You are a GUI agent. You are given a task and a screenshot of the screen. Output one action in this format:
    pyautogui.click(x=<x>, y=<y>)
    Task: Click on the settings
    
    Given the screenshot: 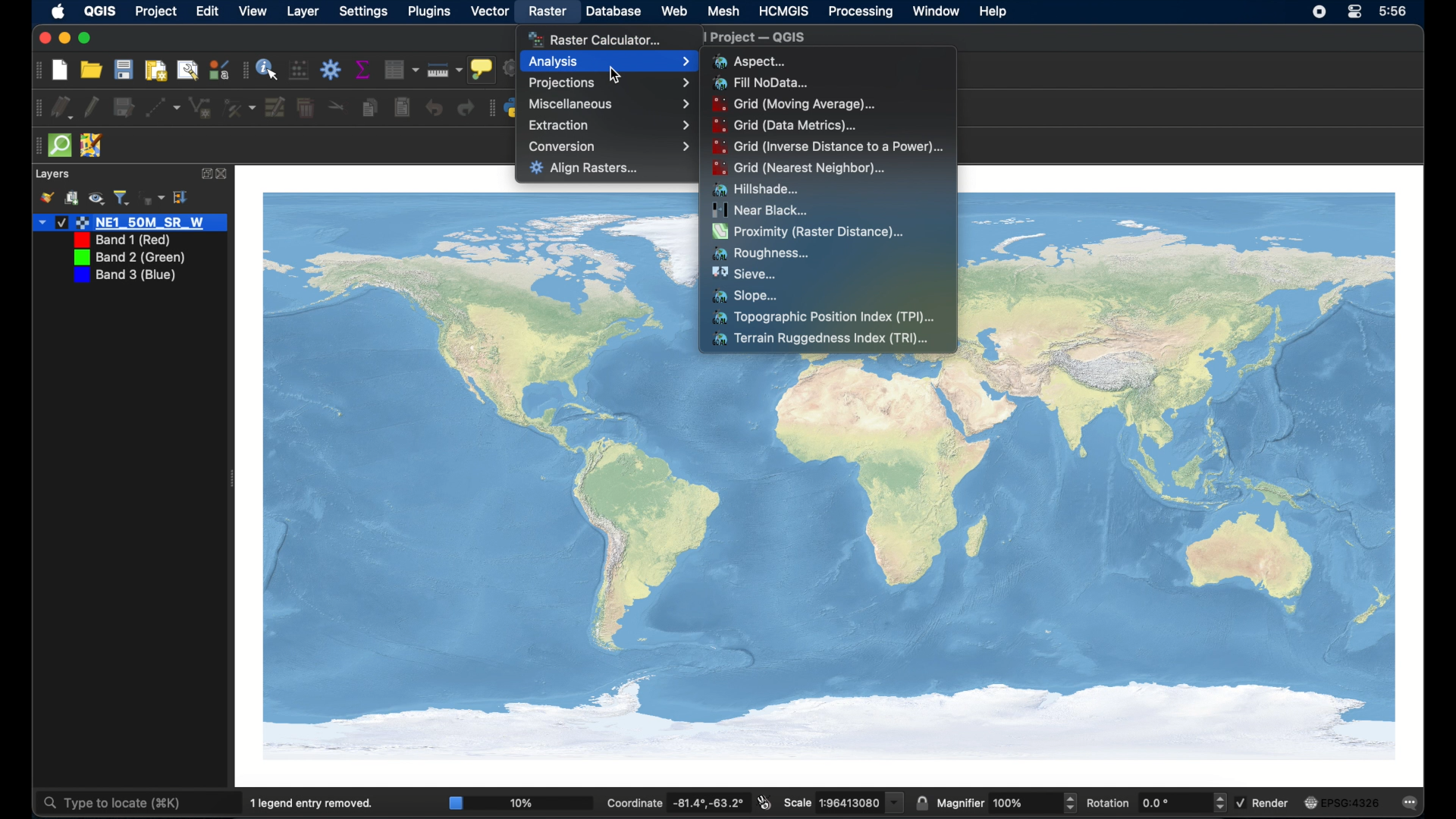 What is the action you would take?
    pyautogui.click(x=363, y=11)
    